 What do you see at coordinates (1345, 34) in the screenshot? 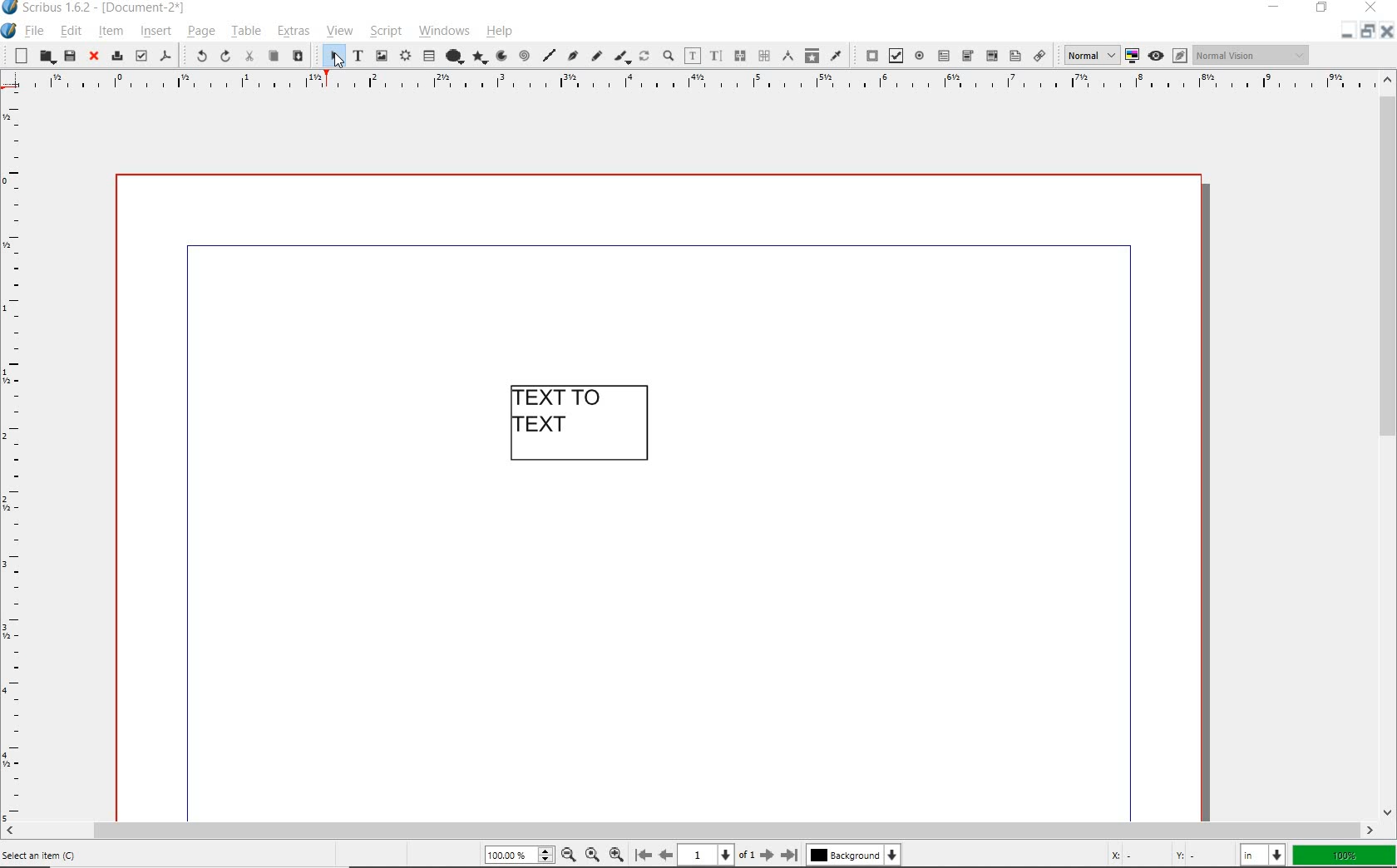
I see `minimize` at bounding box center [1345, 34].